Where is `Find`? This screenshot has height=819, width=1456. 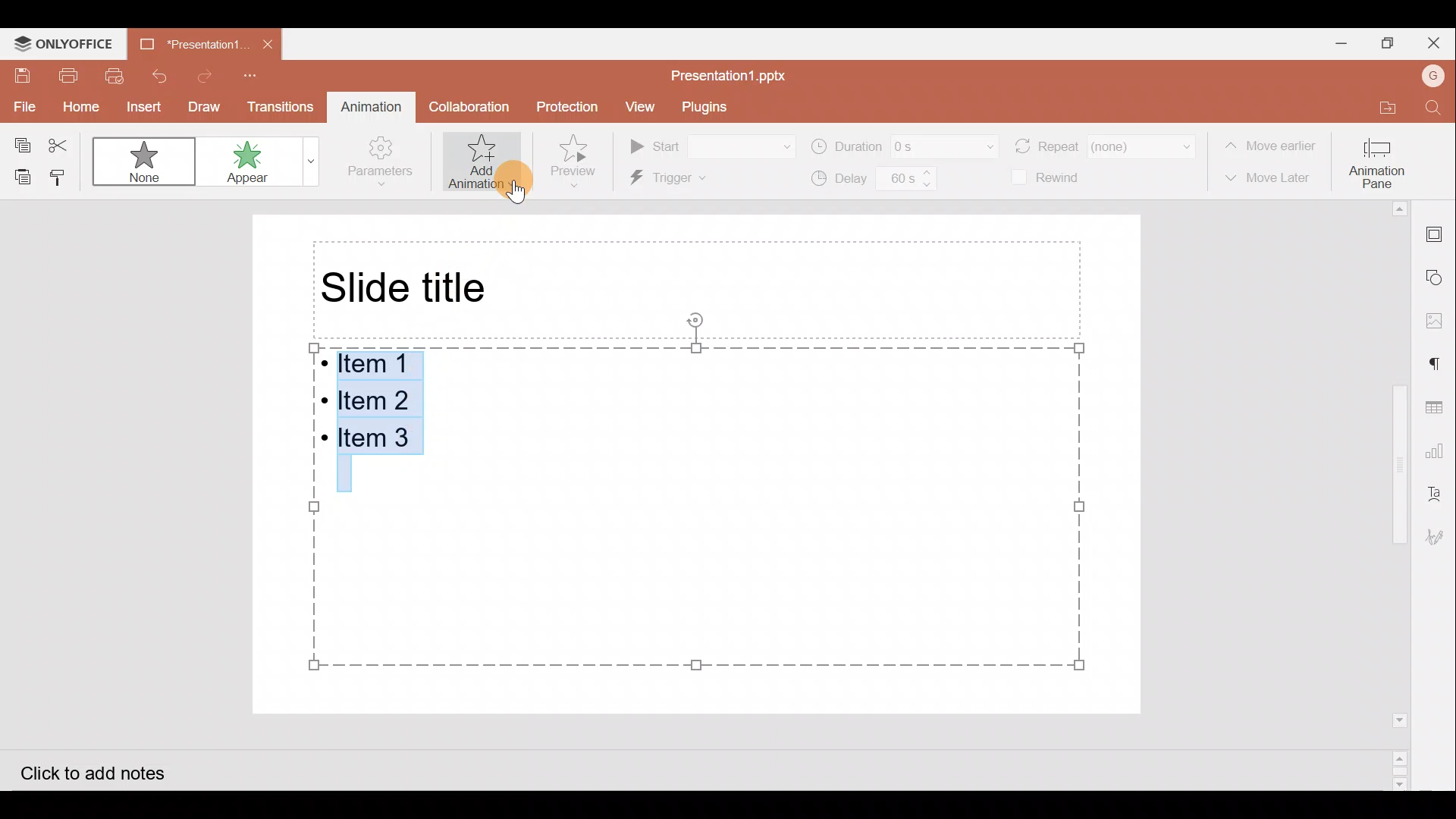 Find is located at coordinates (1432, 106).